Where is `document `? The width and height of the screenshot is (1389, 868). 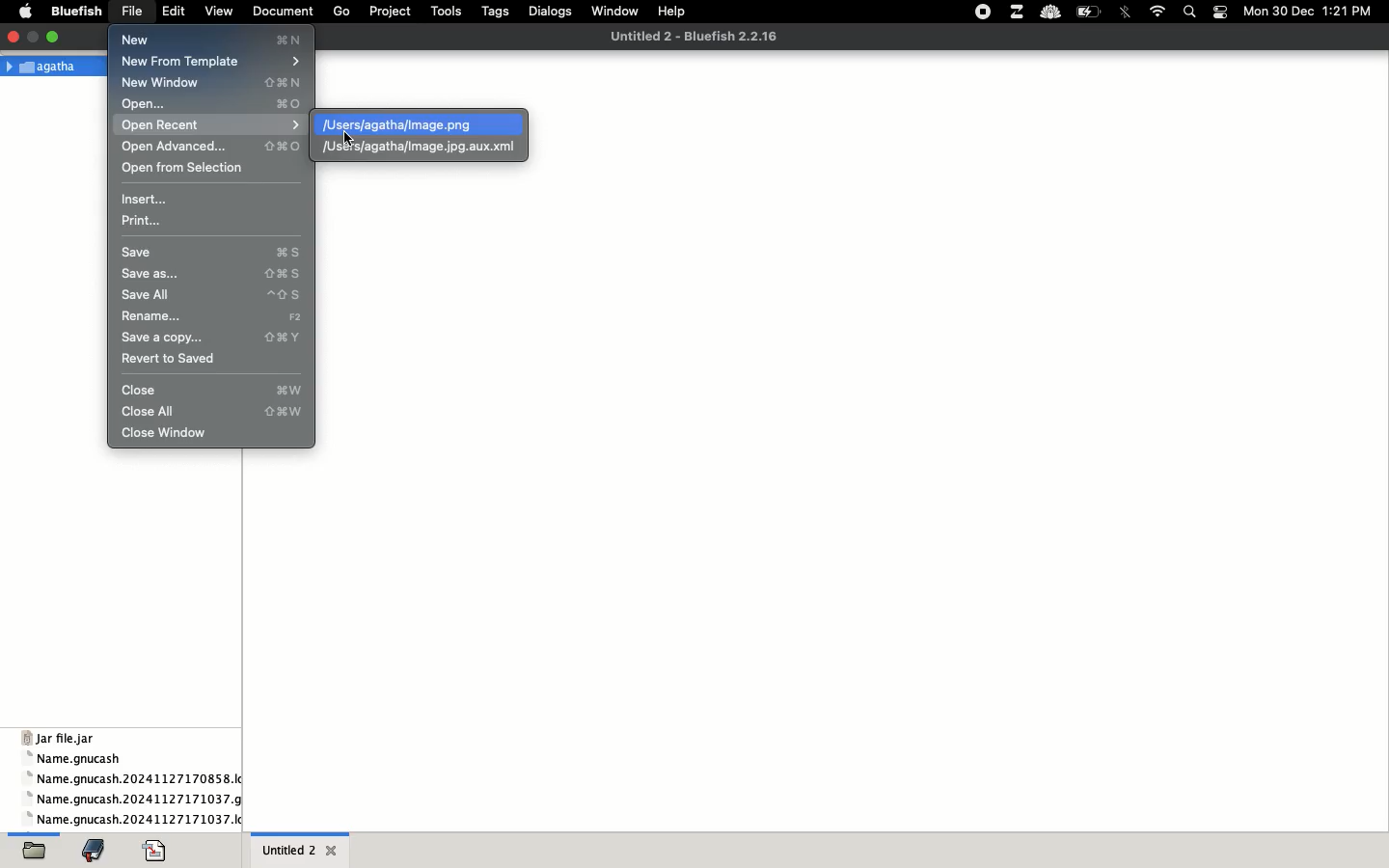
document  is located at coordinates (288, 12).